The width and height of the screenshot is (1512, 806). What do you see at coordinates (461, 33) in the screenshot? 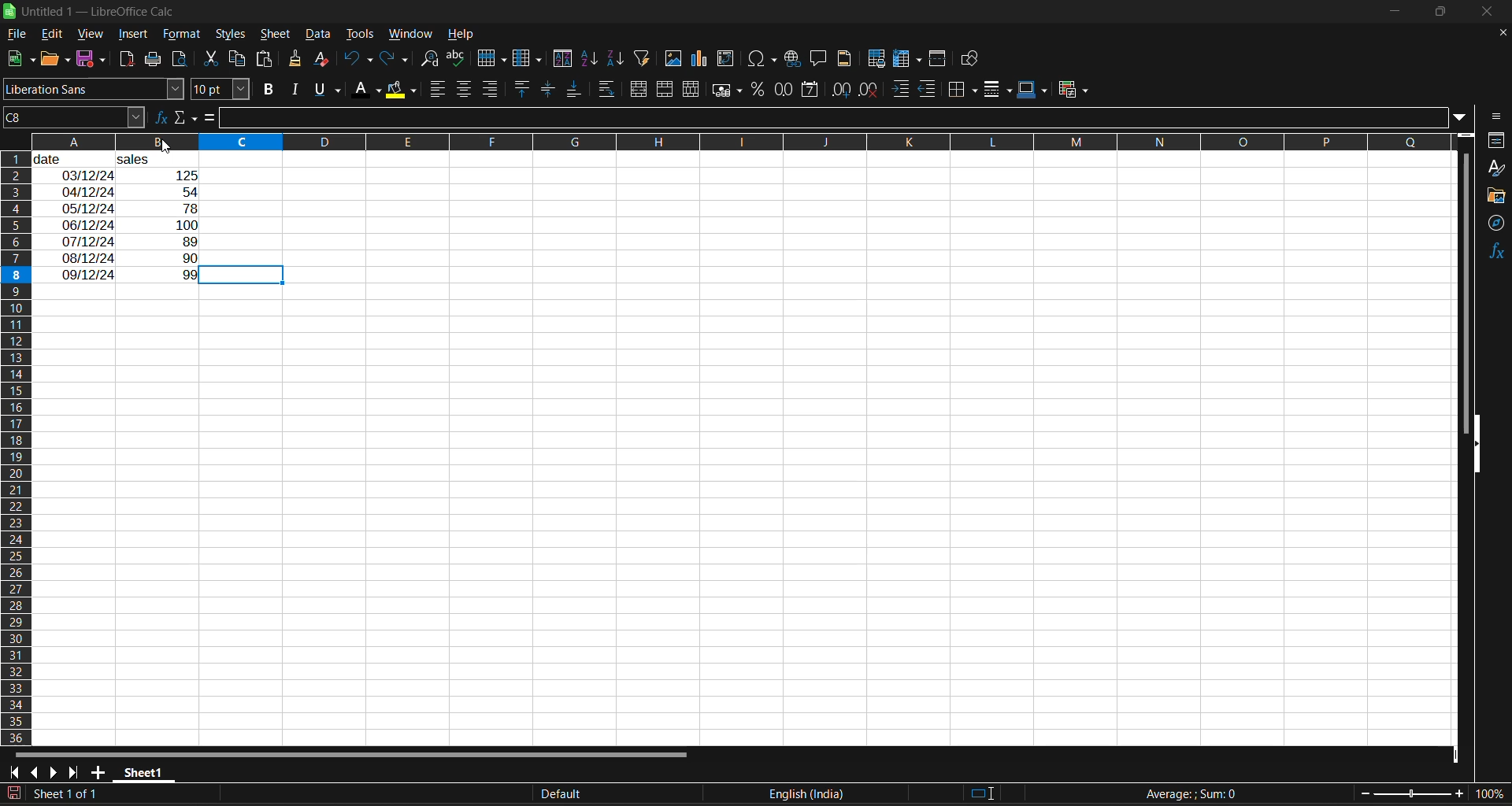
I see `help` at bounding box center [461, 33].